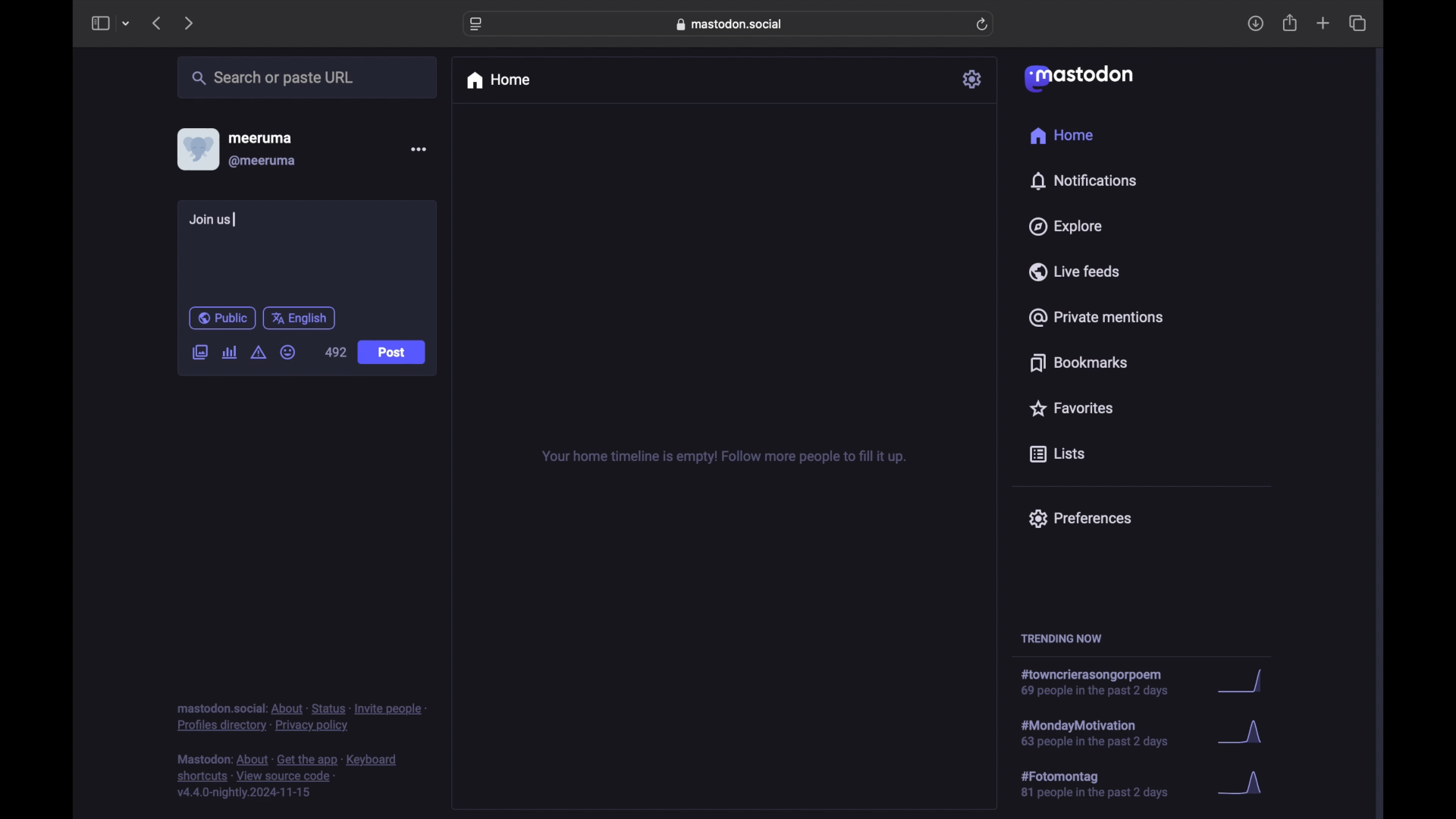  I want to click on web address, so click(733, 24).